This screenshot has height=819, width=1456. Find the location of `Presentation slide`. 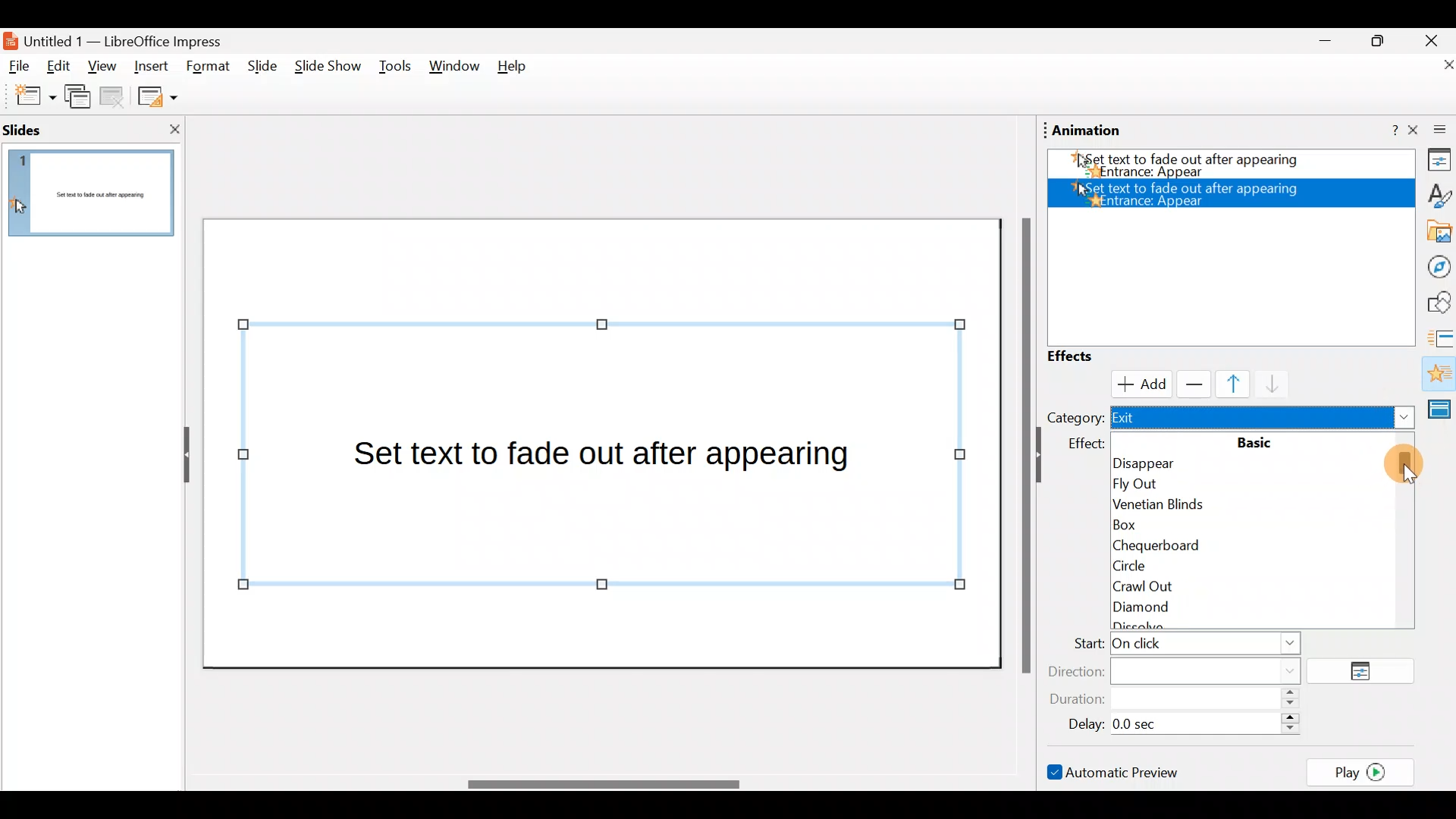

Presentation slide is located at coordinates (605, 442).